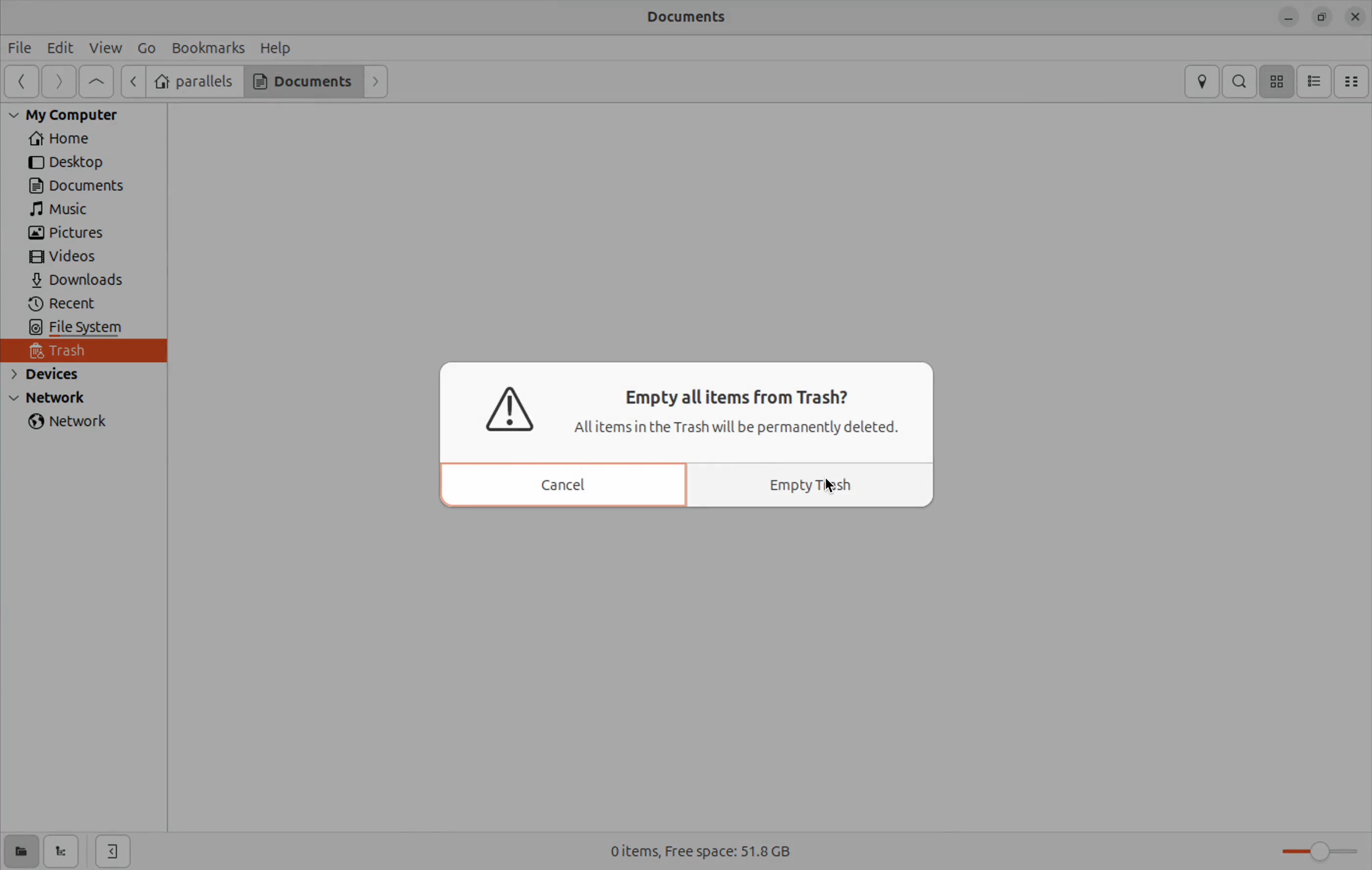 The height and width of the screenshot is (870, 1372). I want to click on warning, so click(515, 411).